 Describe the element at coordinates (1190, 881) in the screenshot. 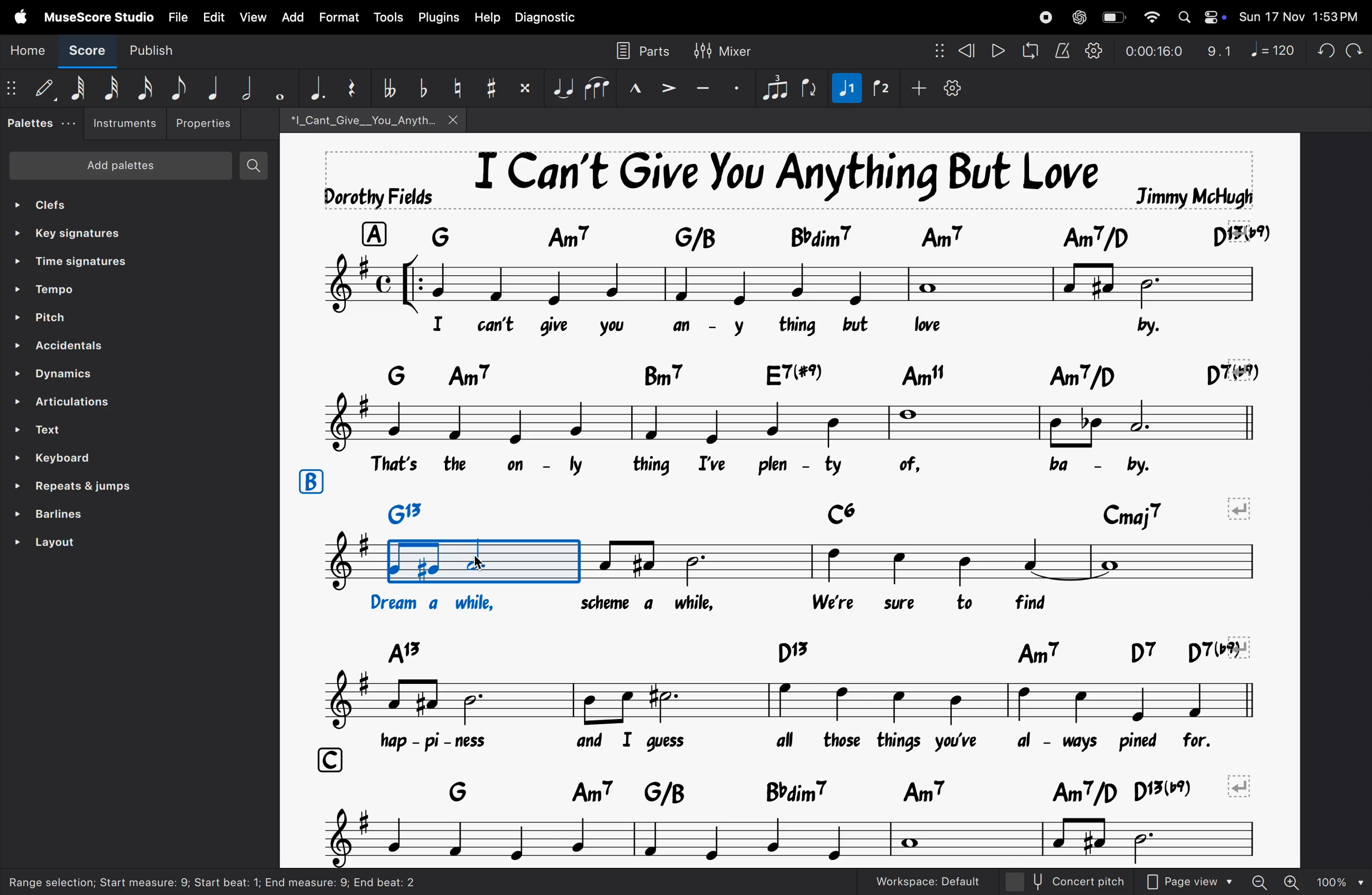

I see `Page view` at that location.